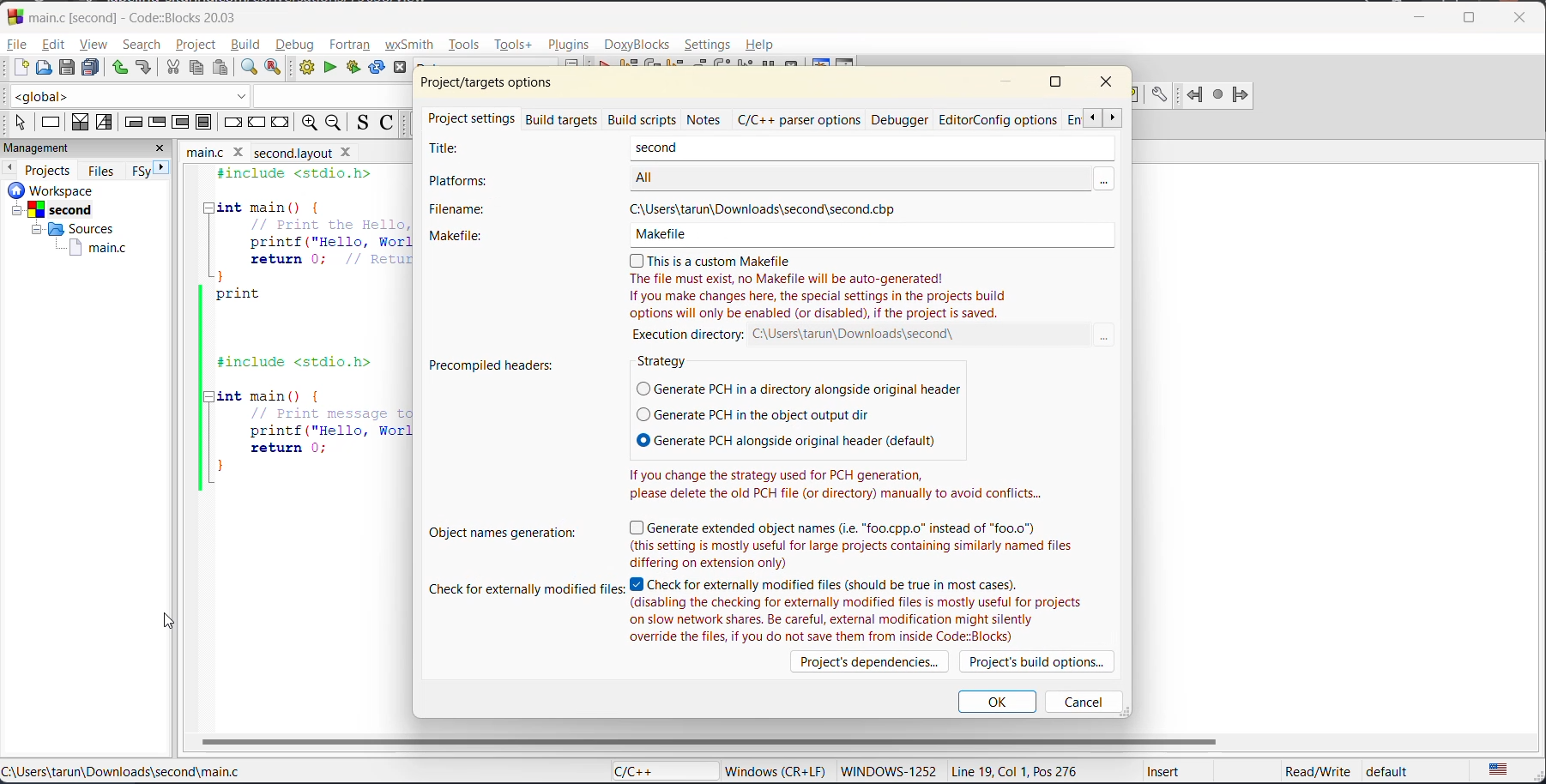  What do you see at coordinates (139, 45) in the screenshot?
I see `search` at bounding box center [139, 45].